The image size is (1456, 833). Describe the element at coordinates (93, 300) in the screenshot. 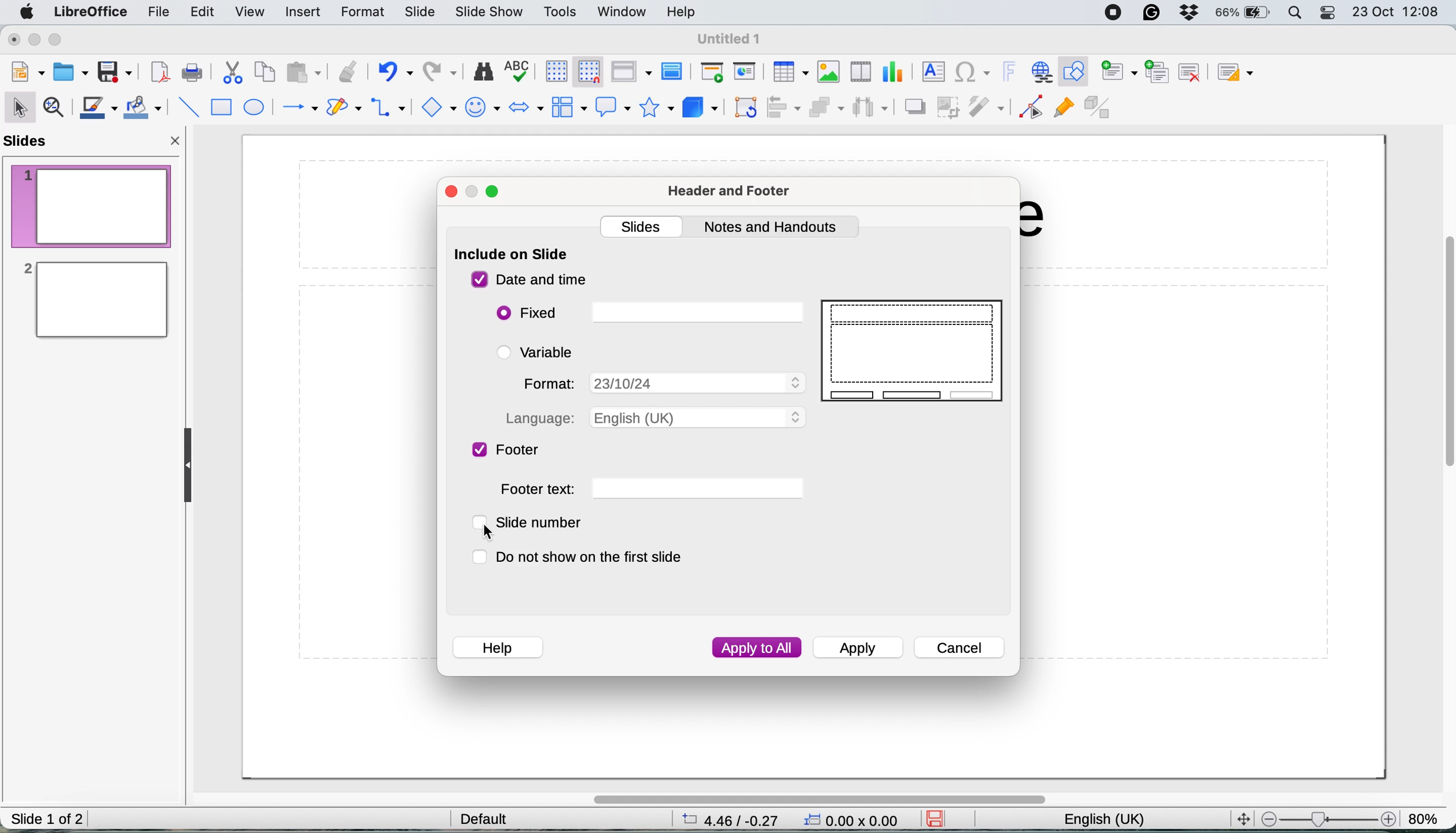

I see `slide 2` at that location.